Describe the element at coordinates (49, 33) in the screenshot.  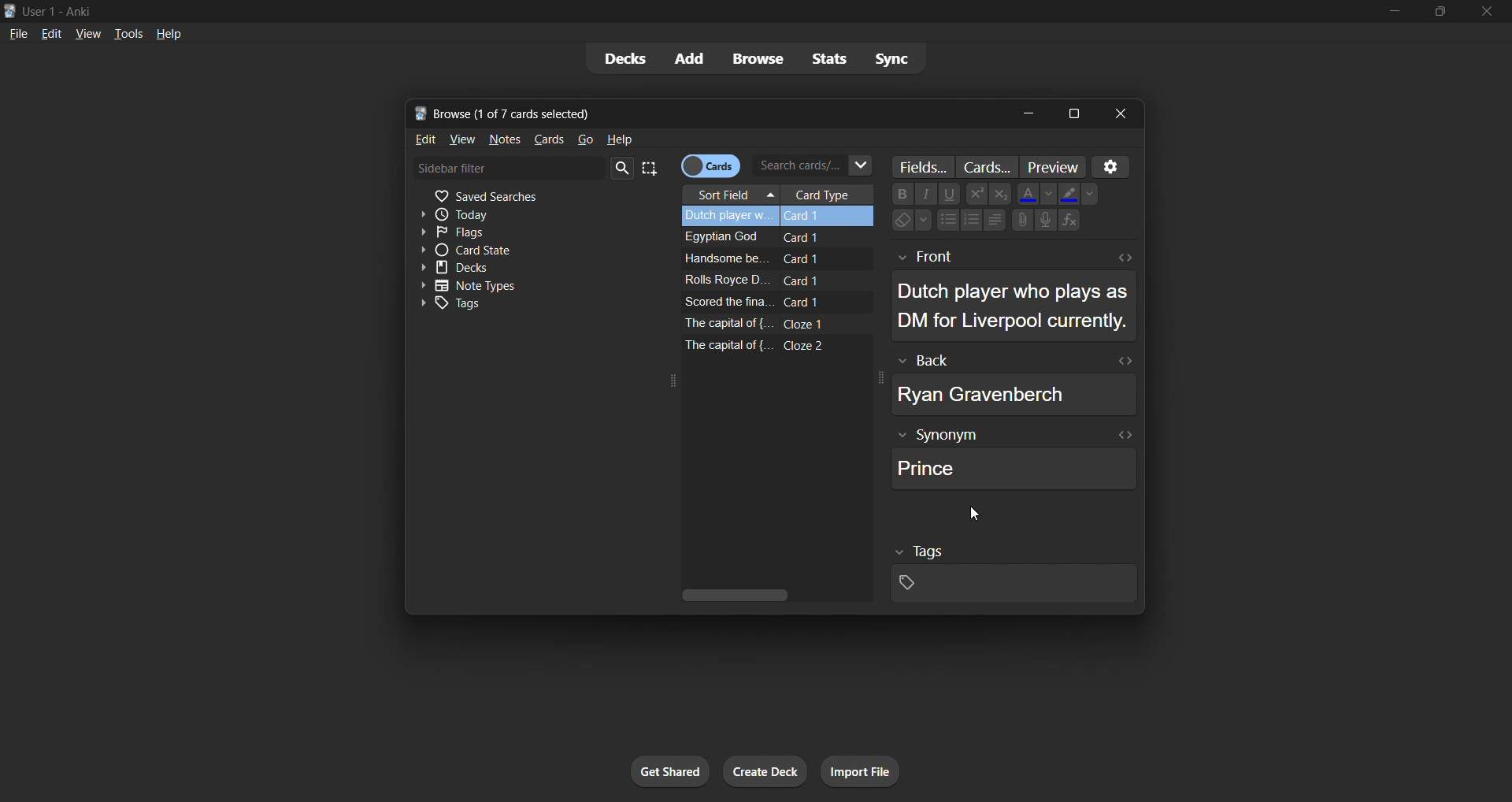
I see `edit` at that location.